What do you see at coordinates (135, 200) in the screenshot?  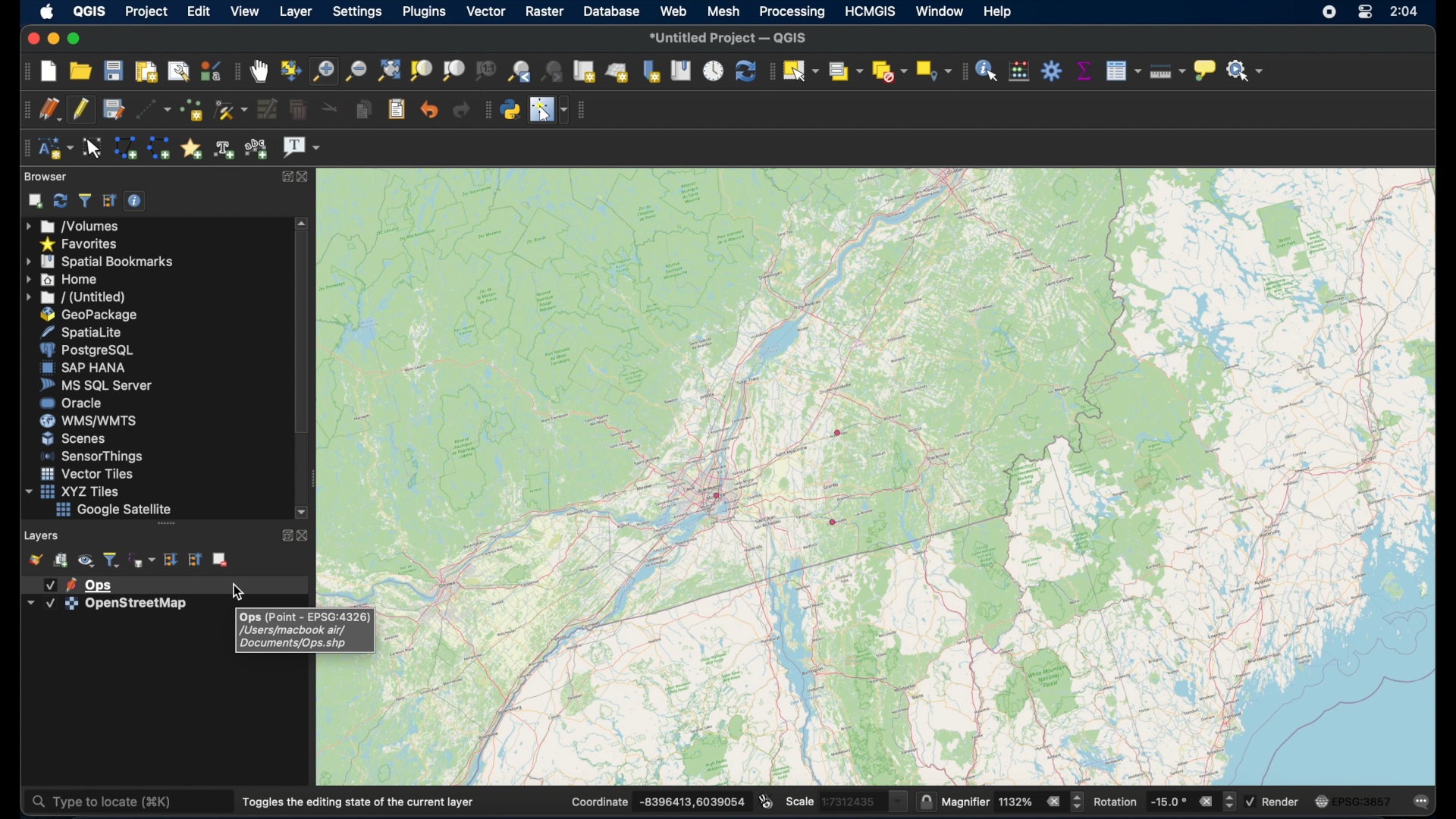 I see `enable/disable properties widget` at bounding box center [135, 200].